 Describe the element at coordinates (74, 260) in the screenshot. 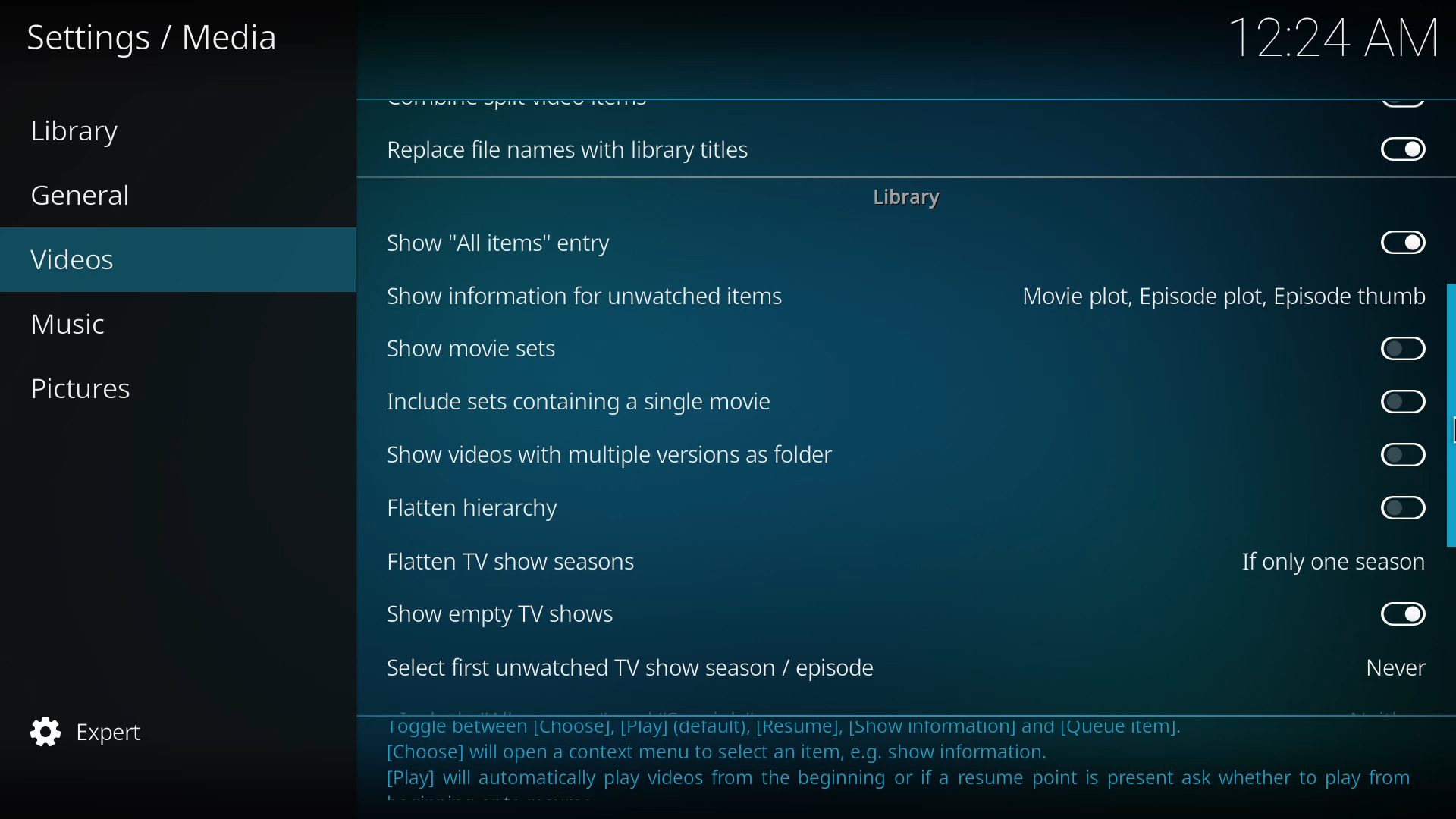

I see `videos` at that location.